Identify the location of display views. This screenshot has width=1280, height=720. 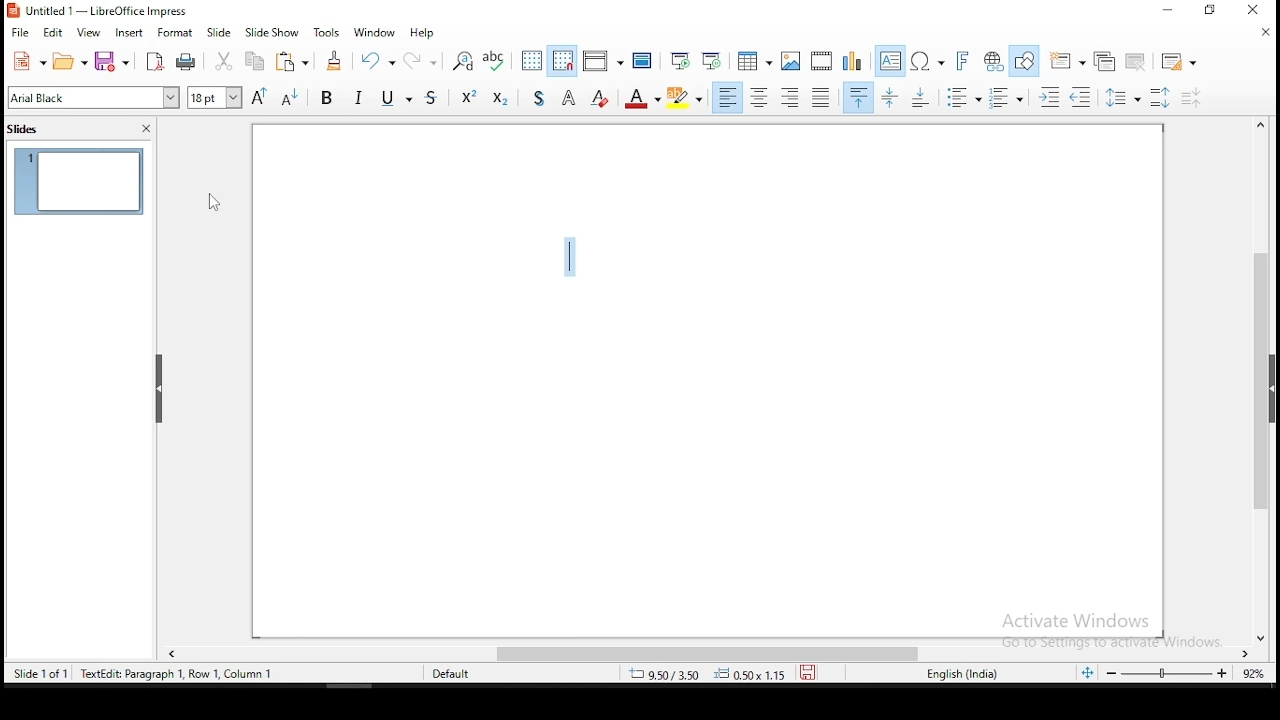
(603, 60).